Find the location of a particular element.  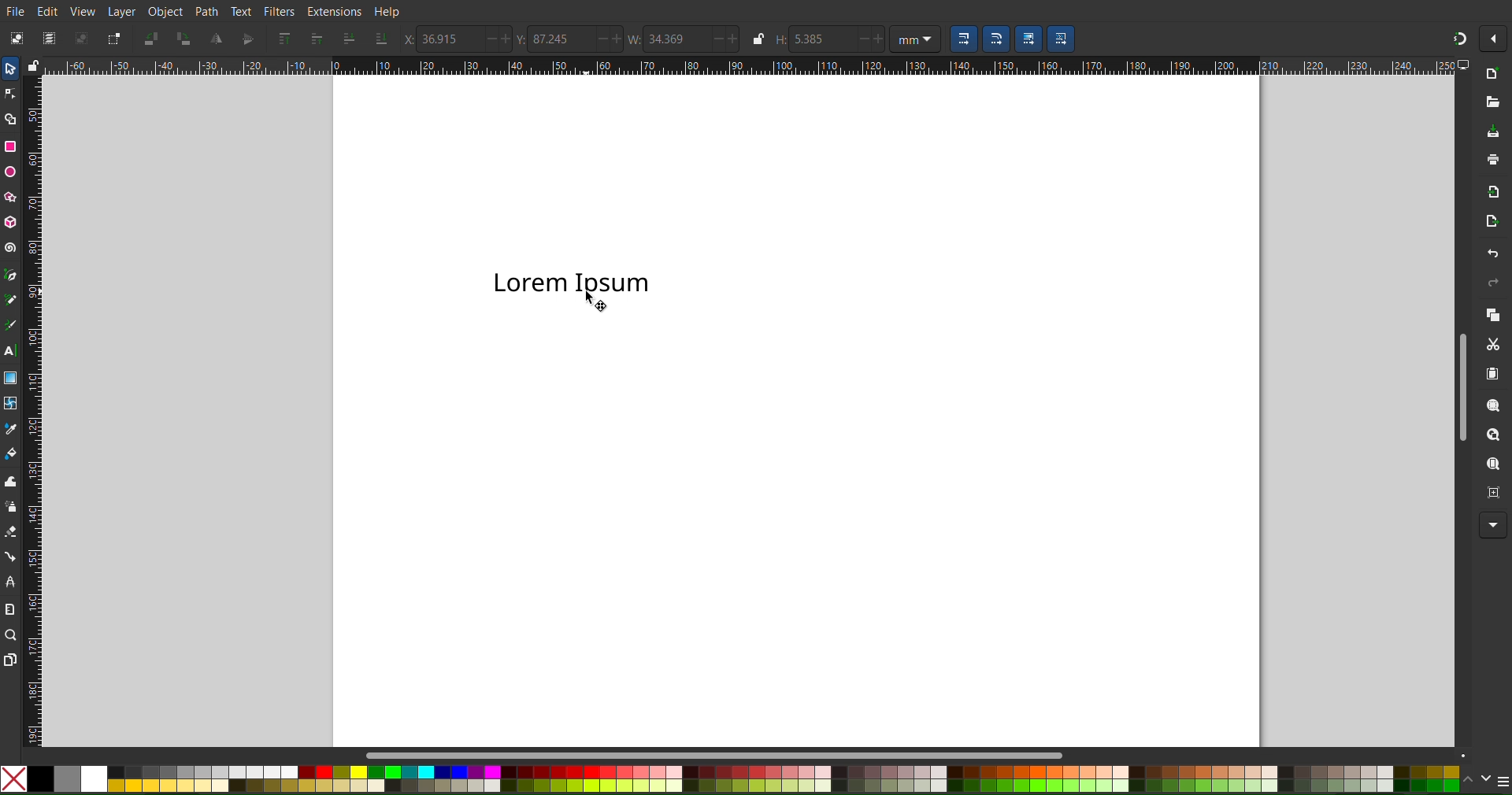

Copy is located at coordinates (1489, 316).